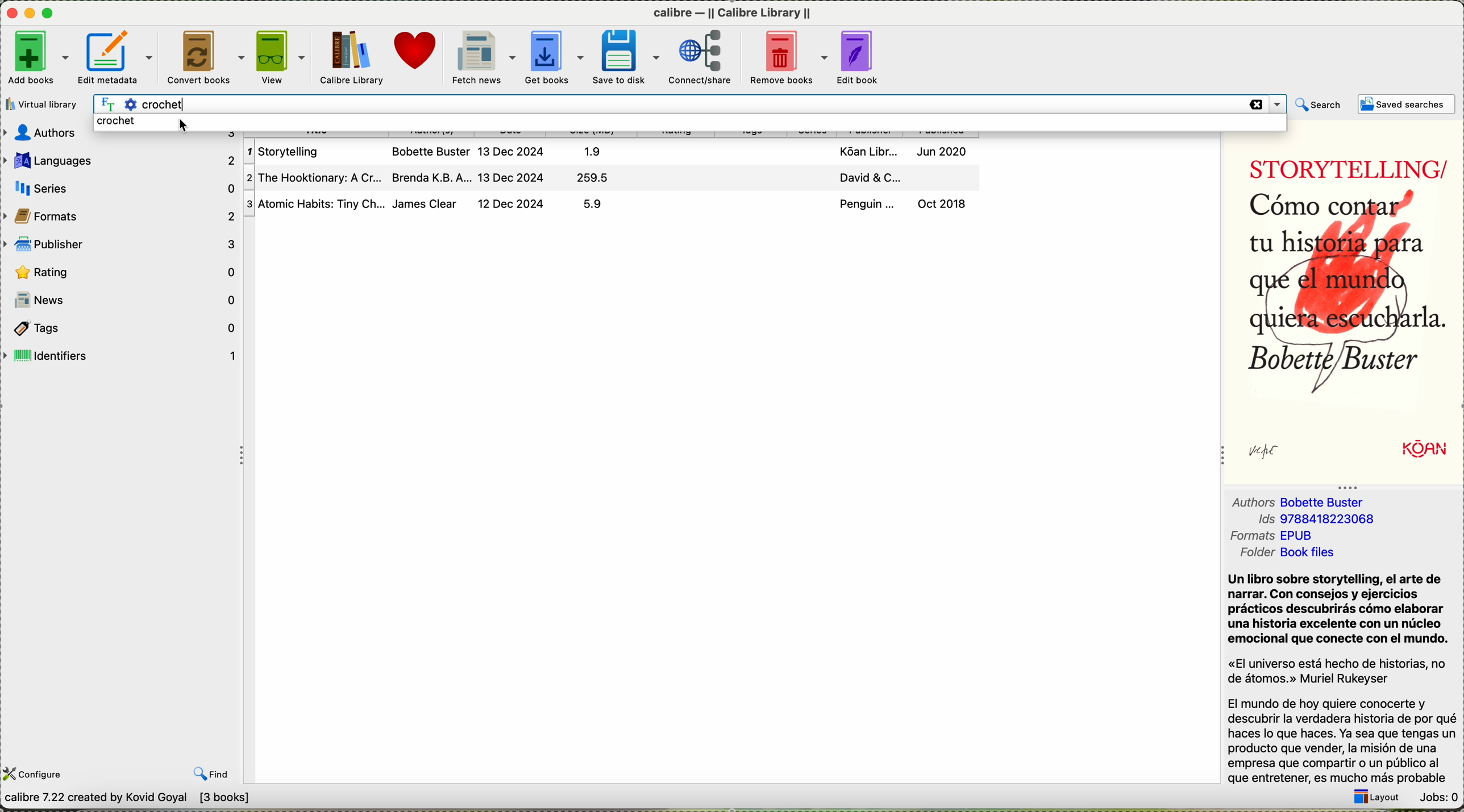 The image size is (1464, 812). I want to click on Oct 2018, so click(953, 203).